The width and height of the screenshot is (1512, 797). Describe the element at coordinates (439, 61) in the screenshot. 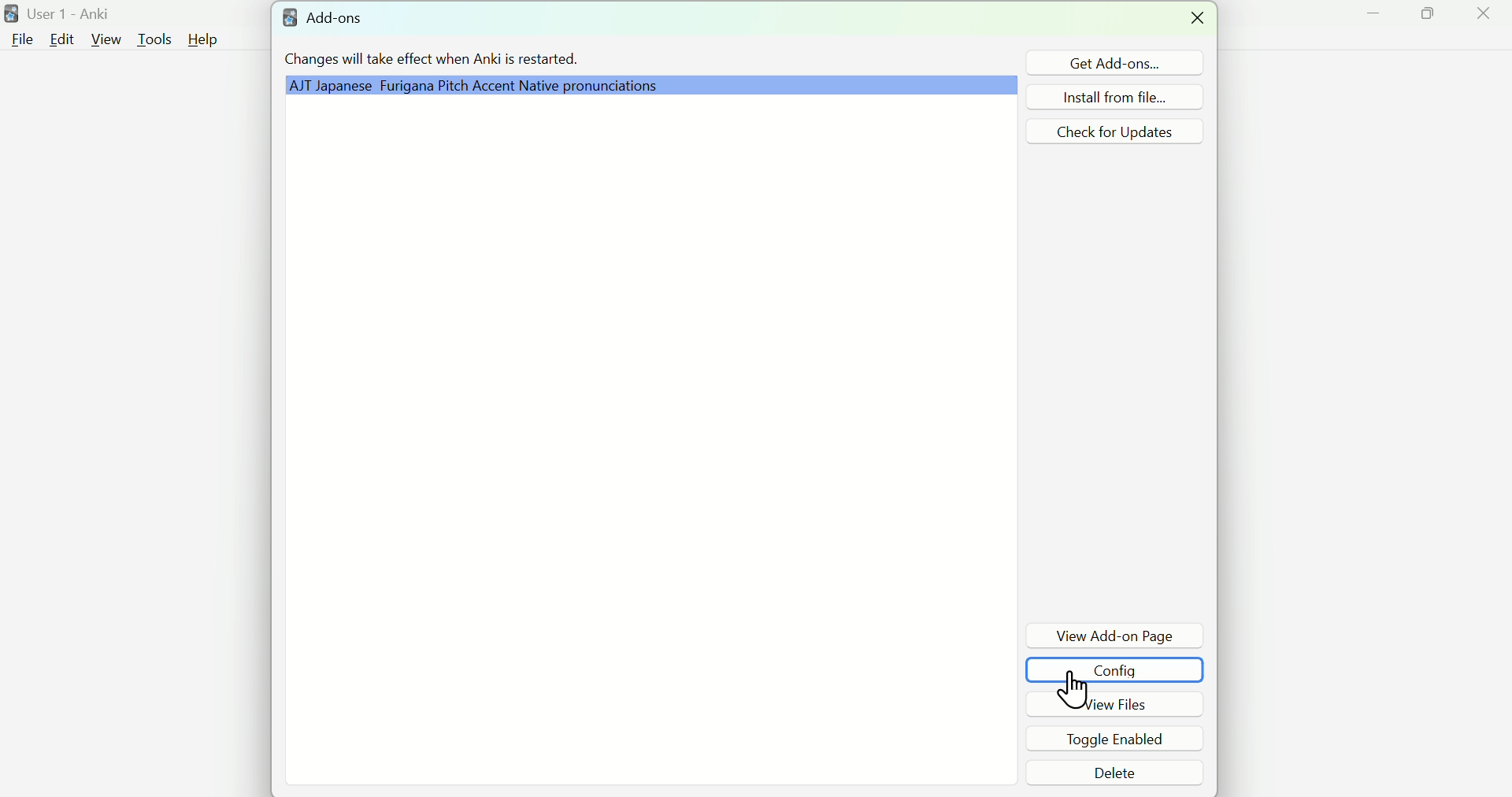

I see `Changes will take effect when Anki is restarted` at that location.